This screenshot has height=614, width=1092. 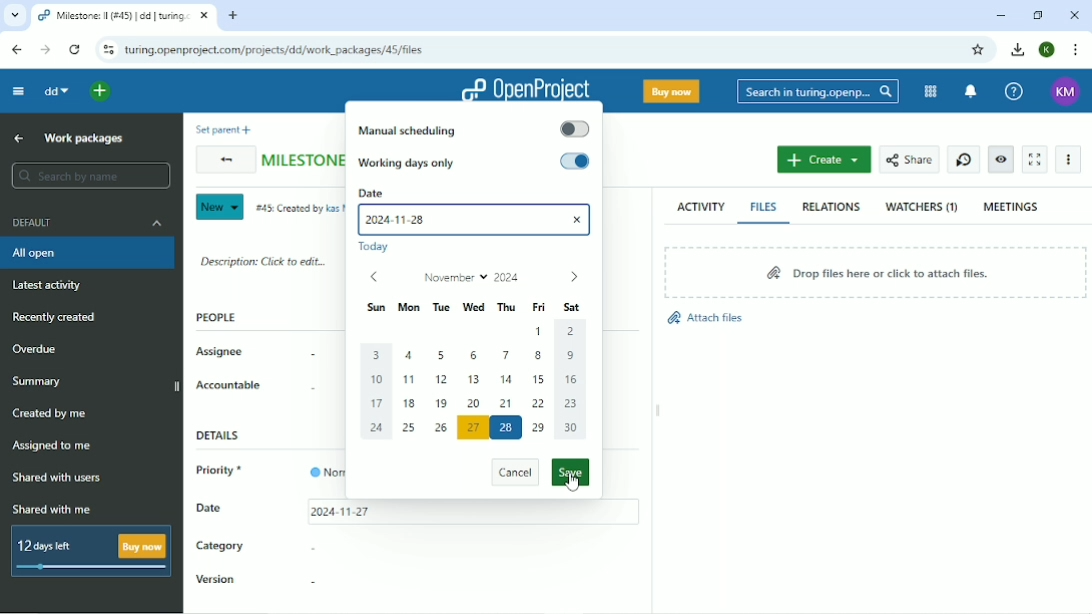 What do you see at coordinates (210, 507) in the screenshot?
I see `Date` at bounding box center [210, 507].